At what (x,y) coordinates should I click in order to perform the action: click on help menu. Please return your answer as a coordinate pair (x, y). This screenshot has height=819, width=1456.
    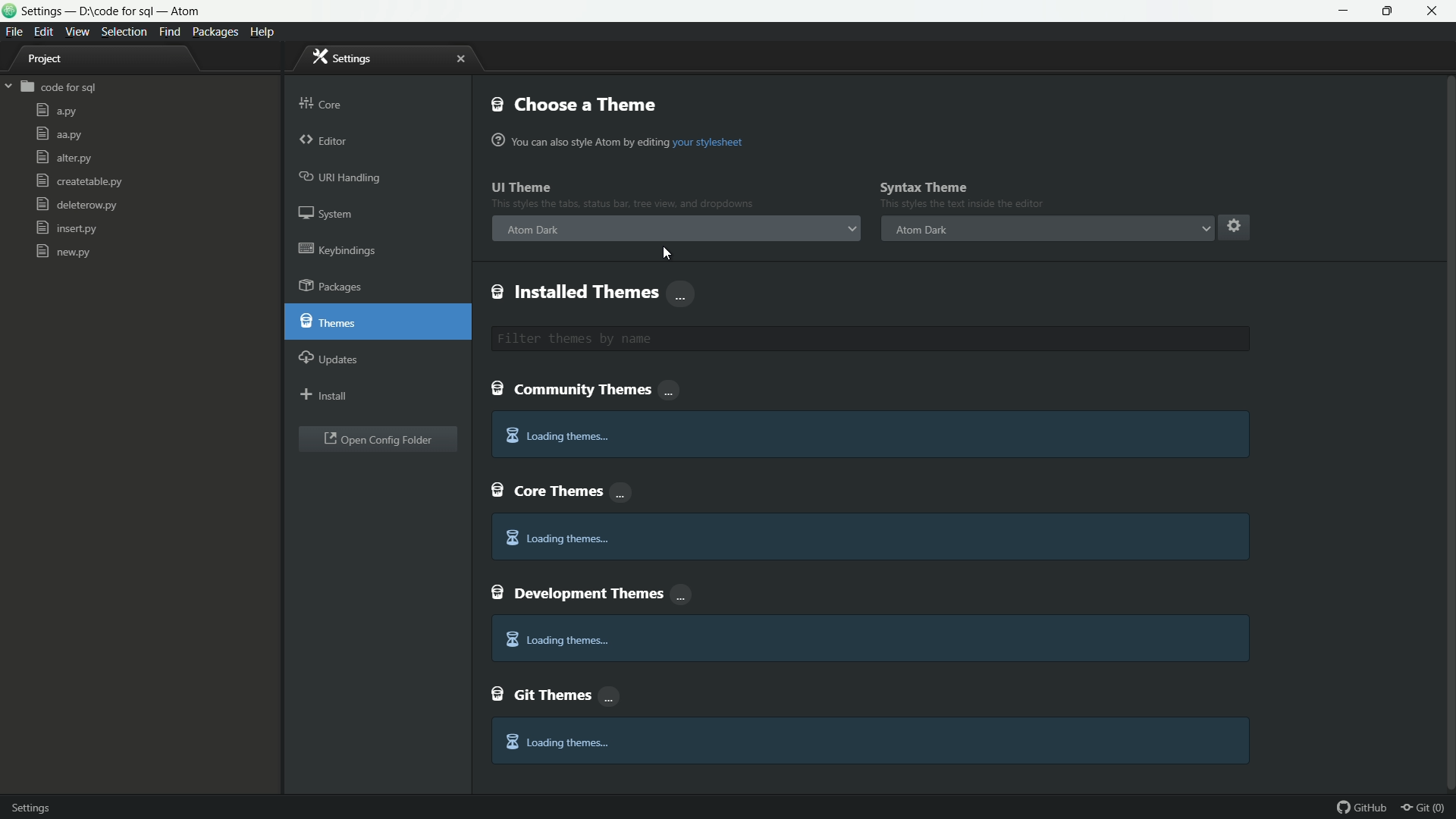
    Looking at the image, I should click on (261, 33).